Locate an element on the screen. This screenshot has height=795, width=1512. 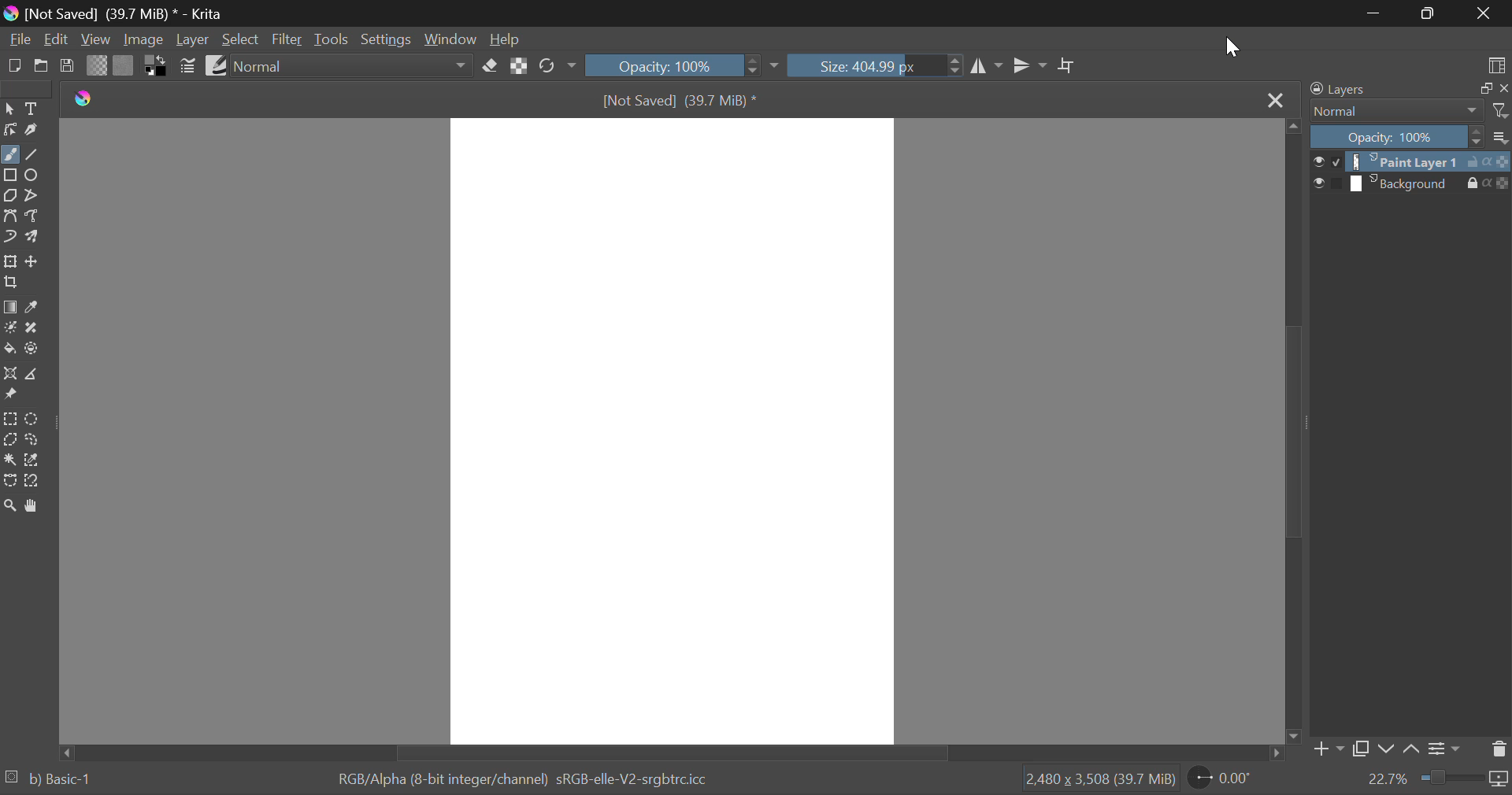
Blending Mode is located at coordinates (351, 65).